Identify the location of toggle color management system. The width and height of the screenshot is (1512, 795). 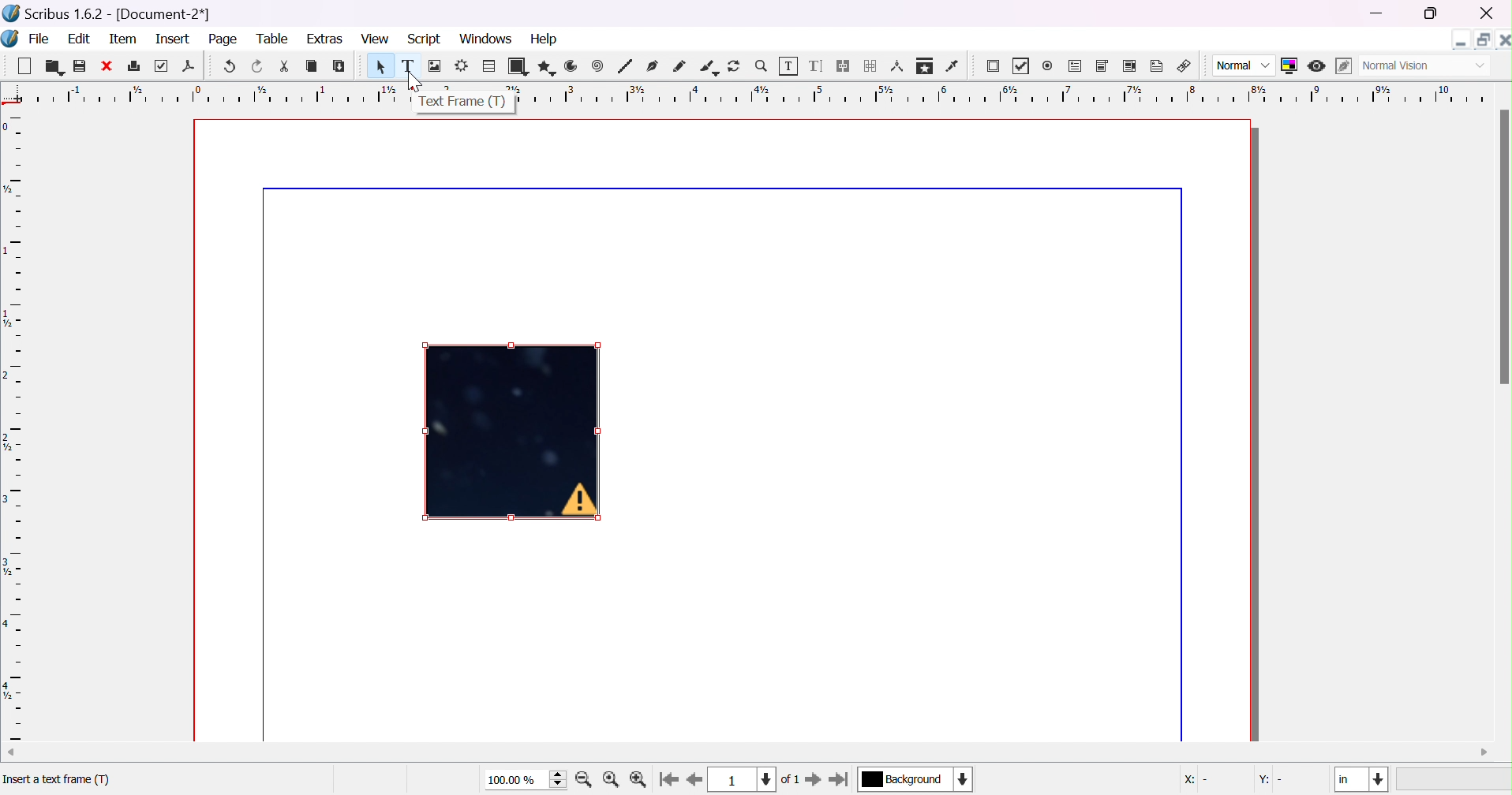
(1290, 65).